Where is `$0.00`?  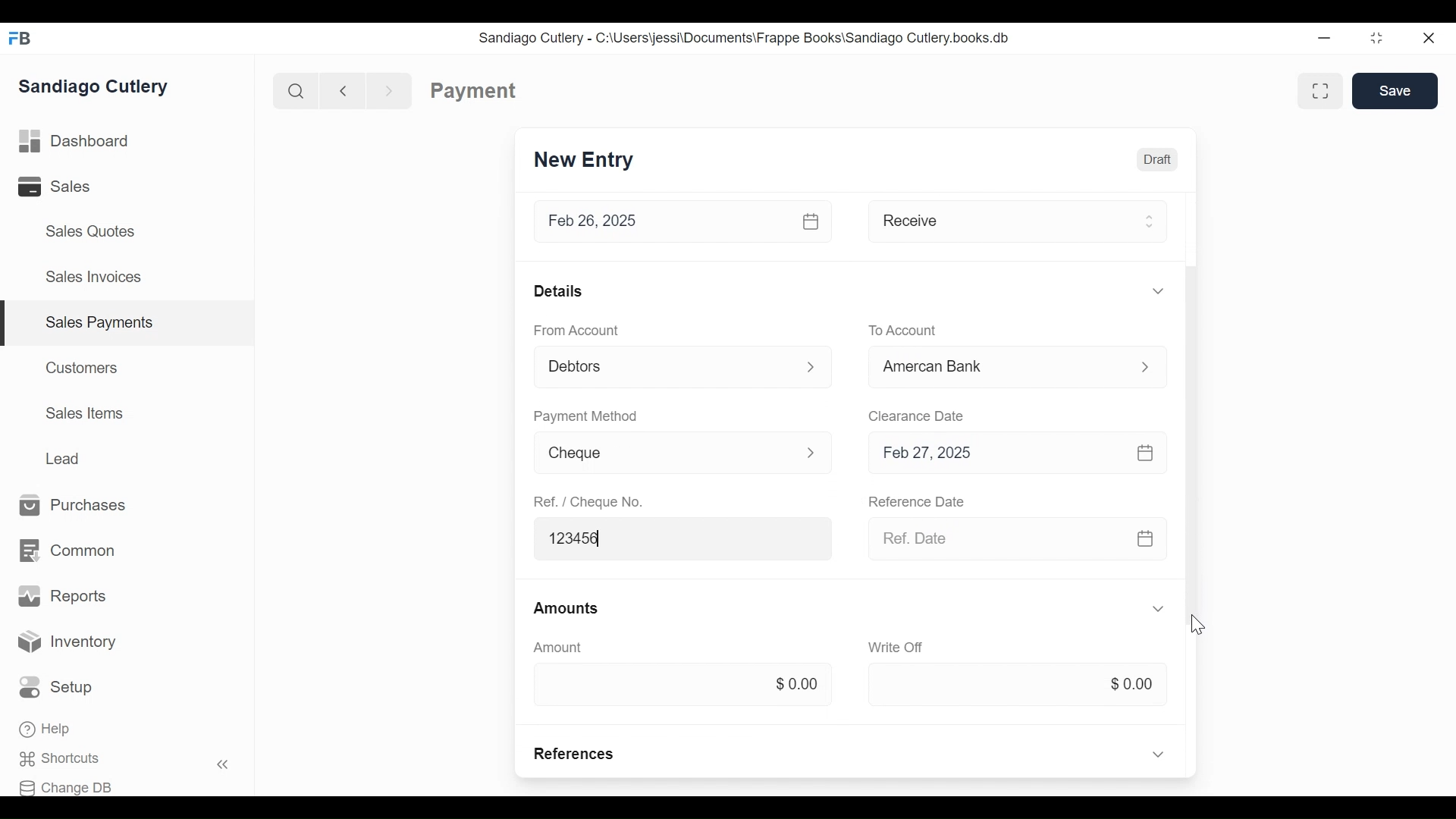
$0.00 is located at coordinates (679, 682).